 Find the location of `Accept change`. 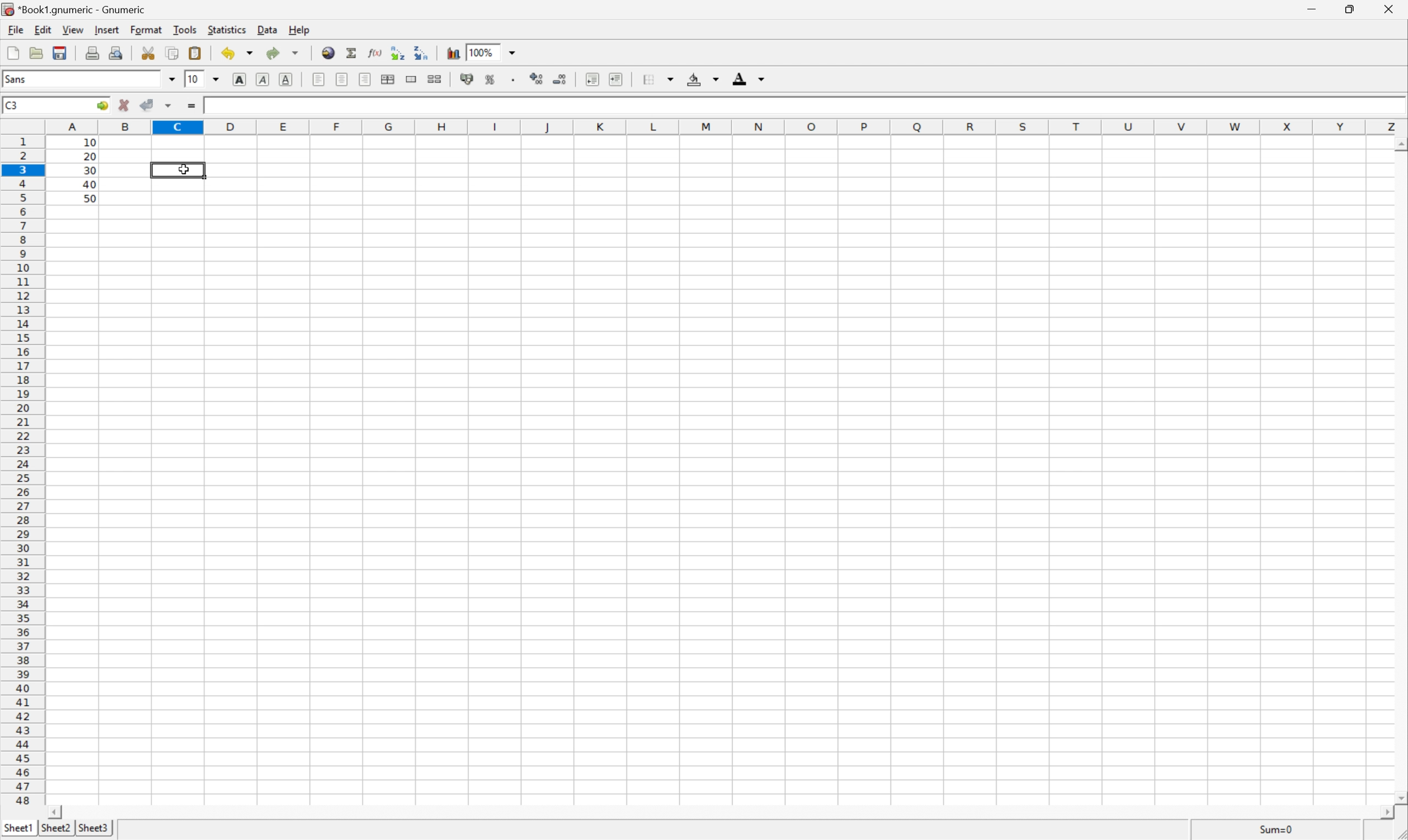

Accept change is located at coordinates (147, 106).